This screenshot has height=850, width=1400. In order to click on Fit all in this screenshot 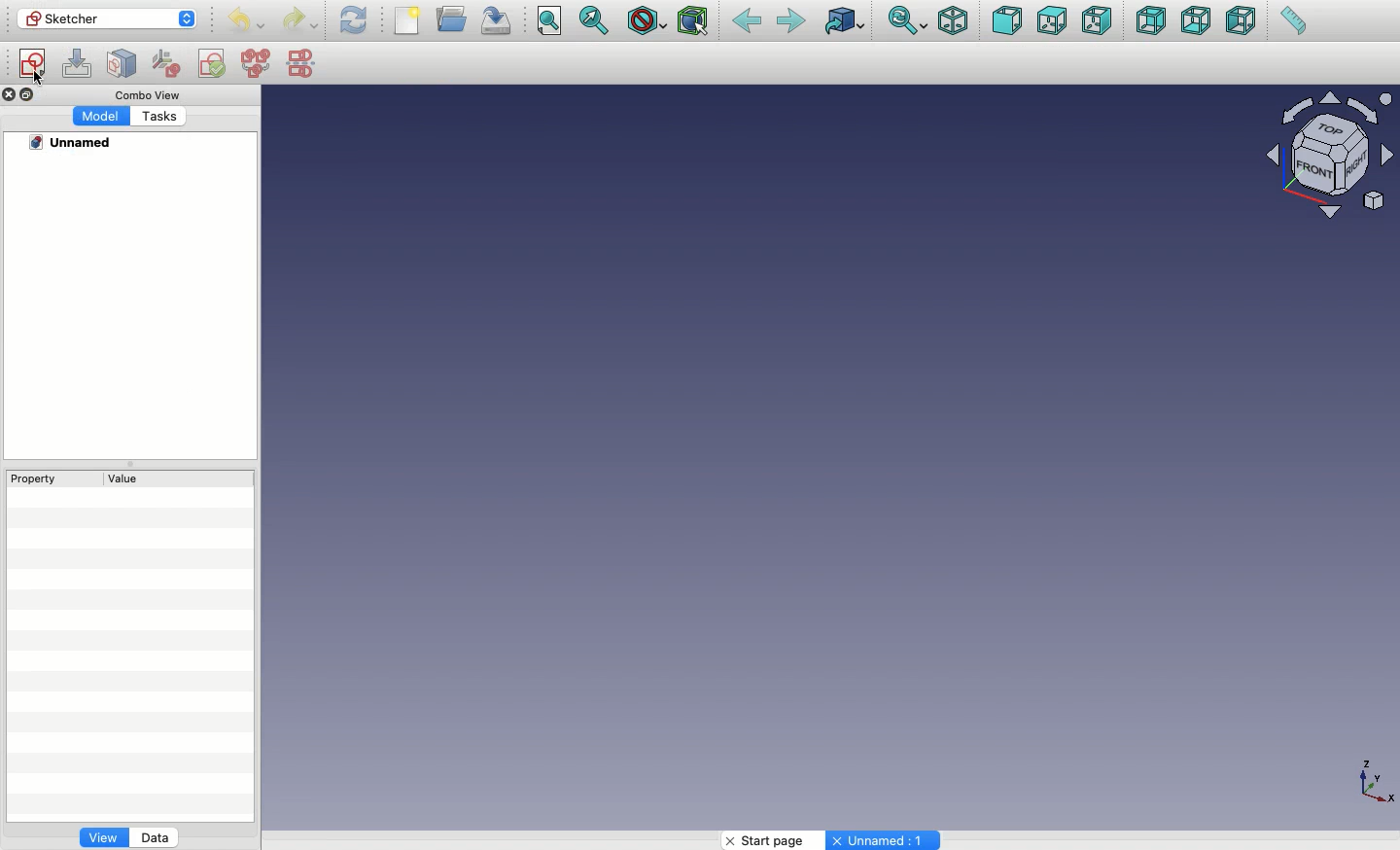, I will do `click(551, 21)`.